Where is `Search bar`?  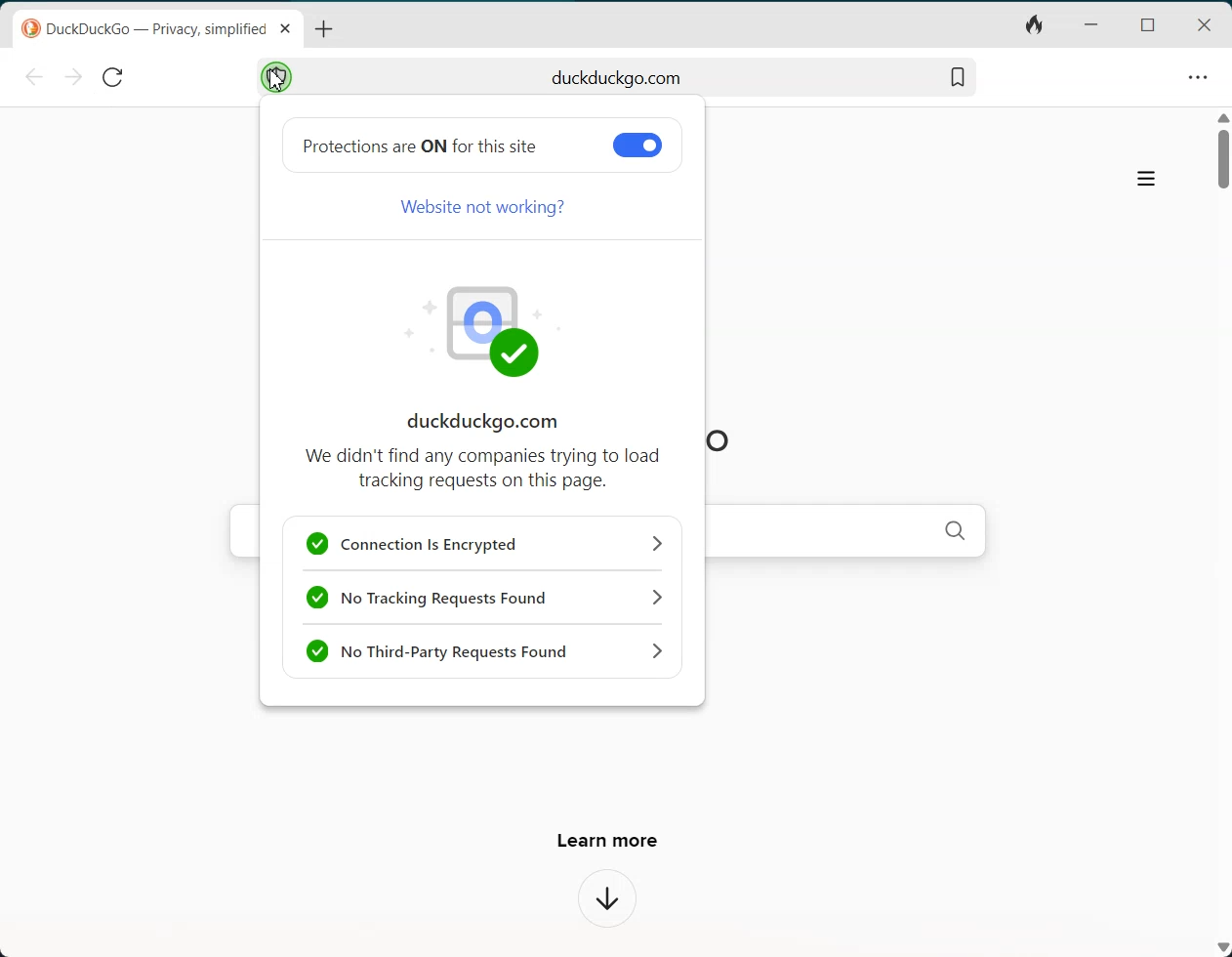
Search bar is located at coordinates (618, 75).